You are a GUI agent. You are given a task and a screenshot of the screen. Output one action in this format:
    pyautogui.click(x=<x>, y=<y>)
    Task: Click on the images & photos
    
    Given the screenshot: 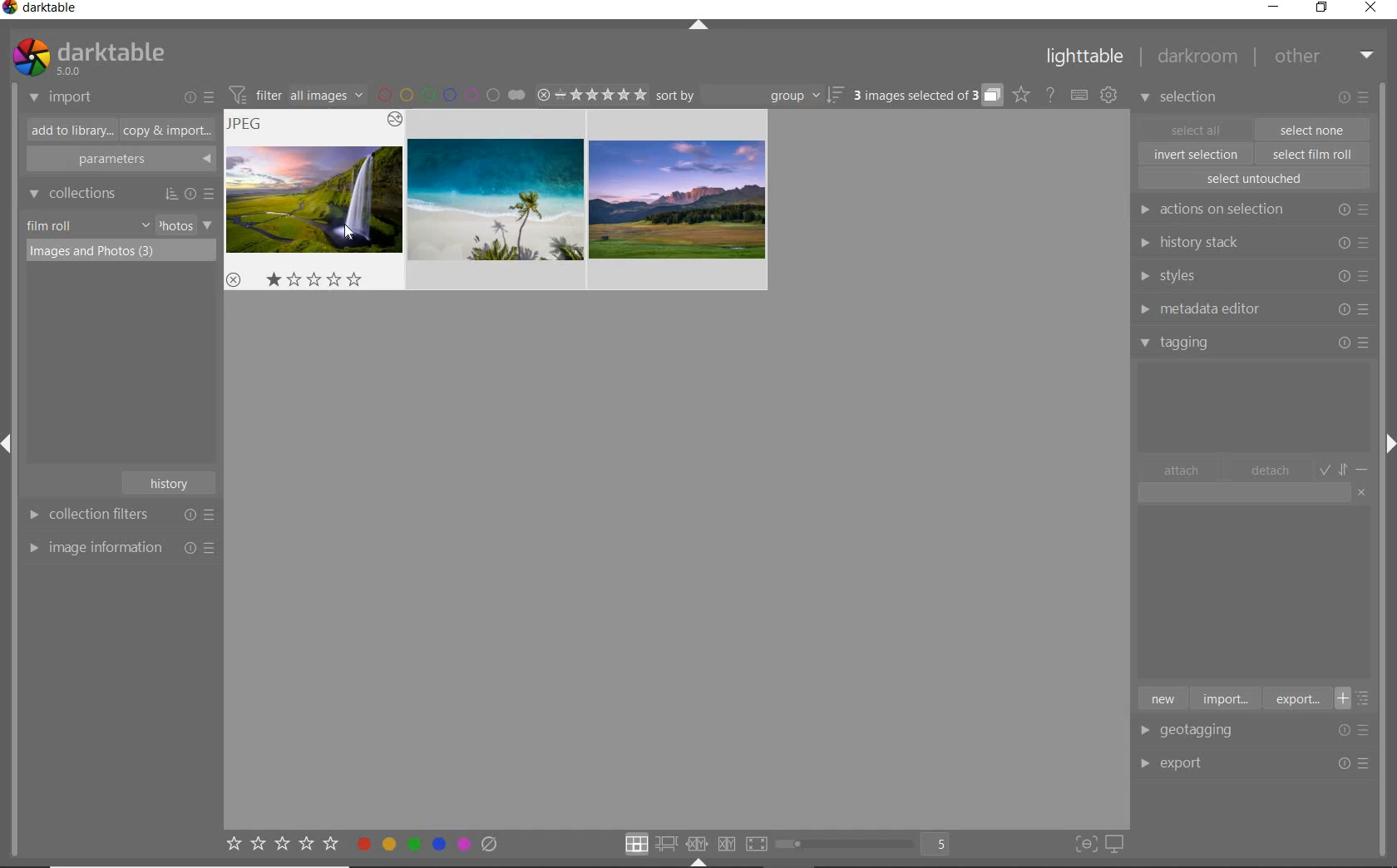 What is the action you would take?
    pyautogui.click(x=121, y=252)
    